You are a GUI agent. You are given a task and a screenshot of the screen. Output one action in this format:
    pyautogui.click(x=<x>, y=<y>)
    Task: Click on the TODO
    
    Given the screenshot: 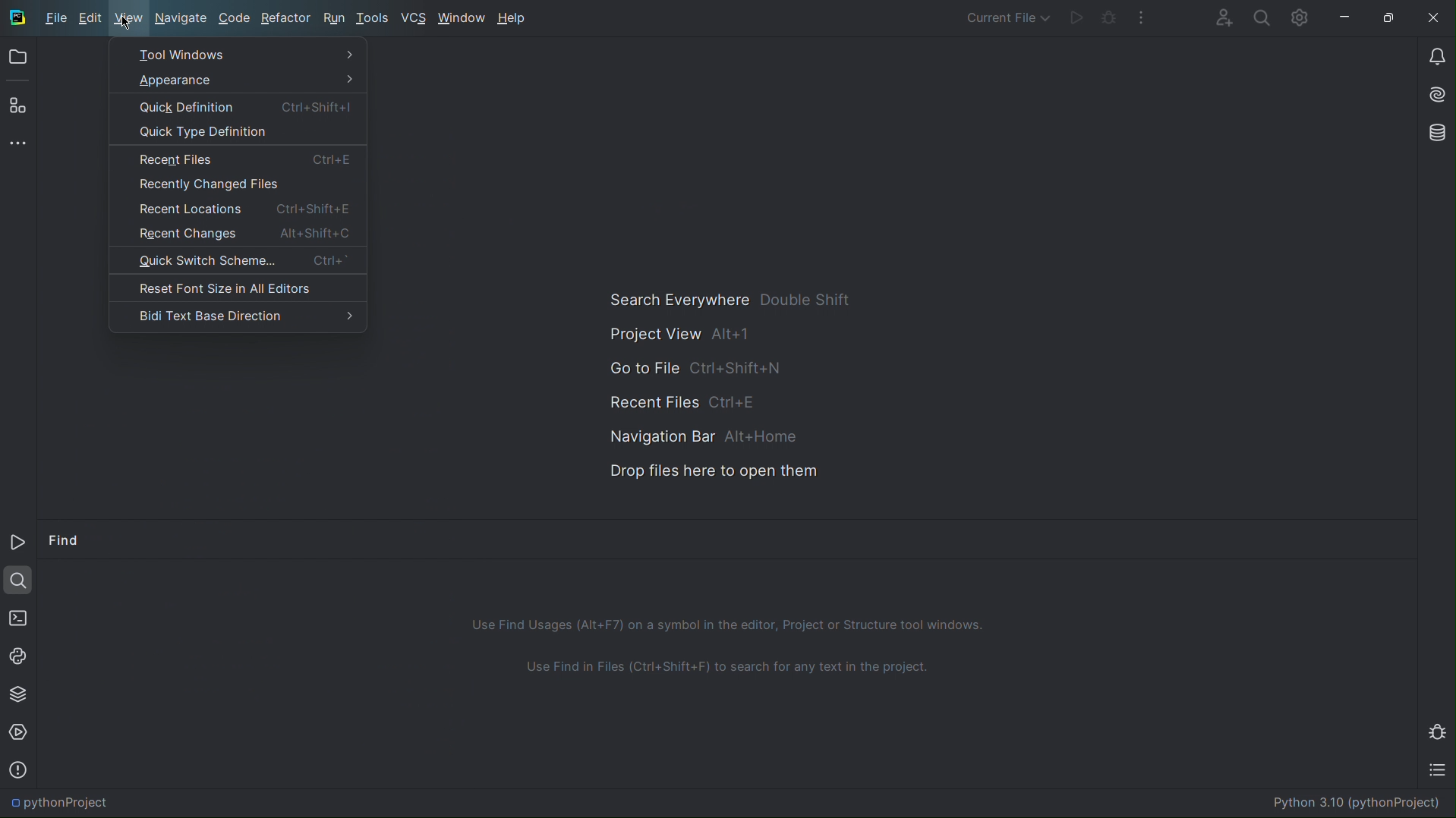 What is the action you would take?
    pyautogui.click(x=1441, y=772)
    